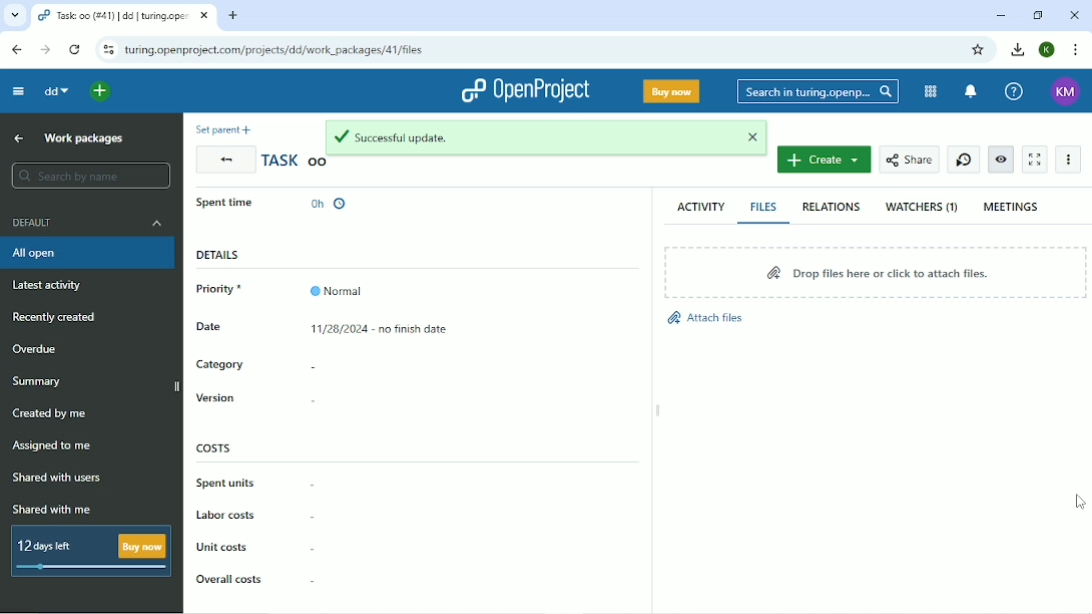 The width and height of the screenshot is (1092, 614). What do you see at coordinates (524, 89) in the screenshot?
I see `OpenProject` at bounding box center [524, 89].